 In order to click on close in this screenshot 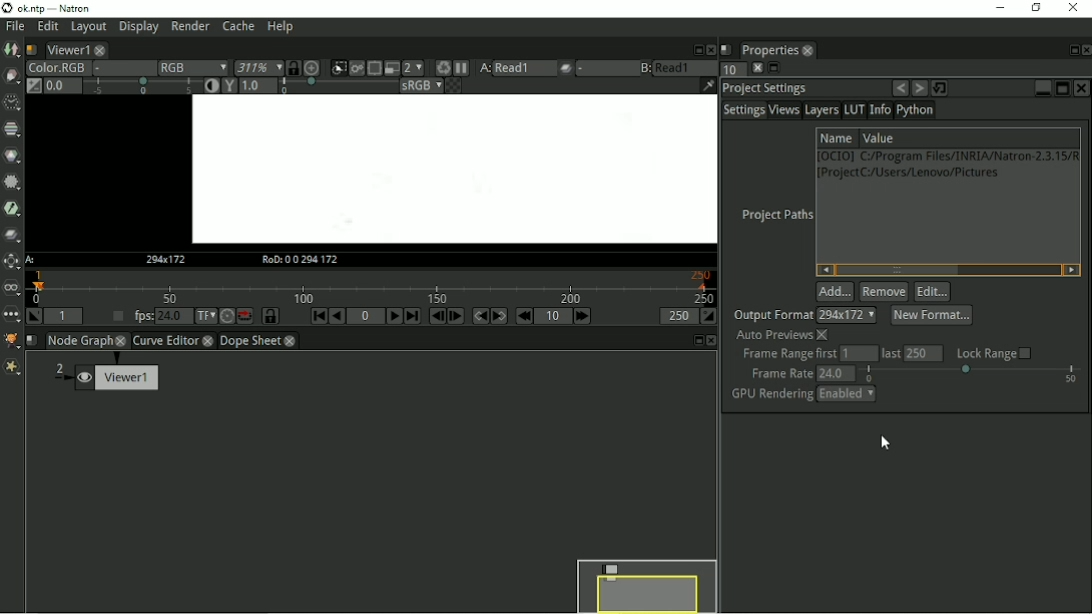, I will do `click(122, 341)`.